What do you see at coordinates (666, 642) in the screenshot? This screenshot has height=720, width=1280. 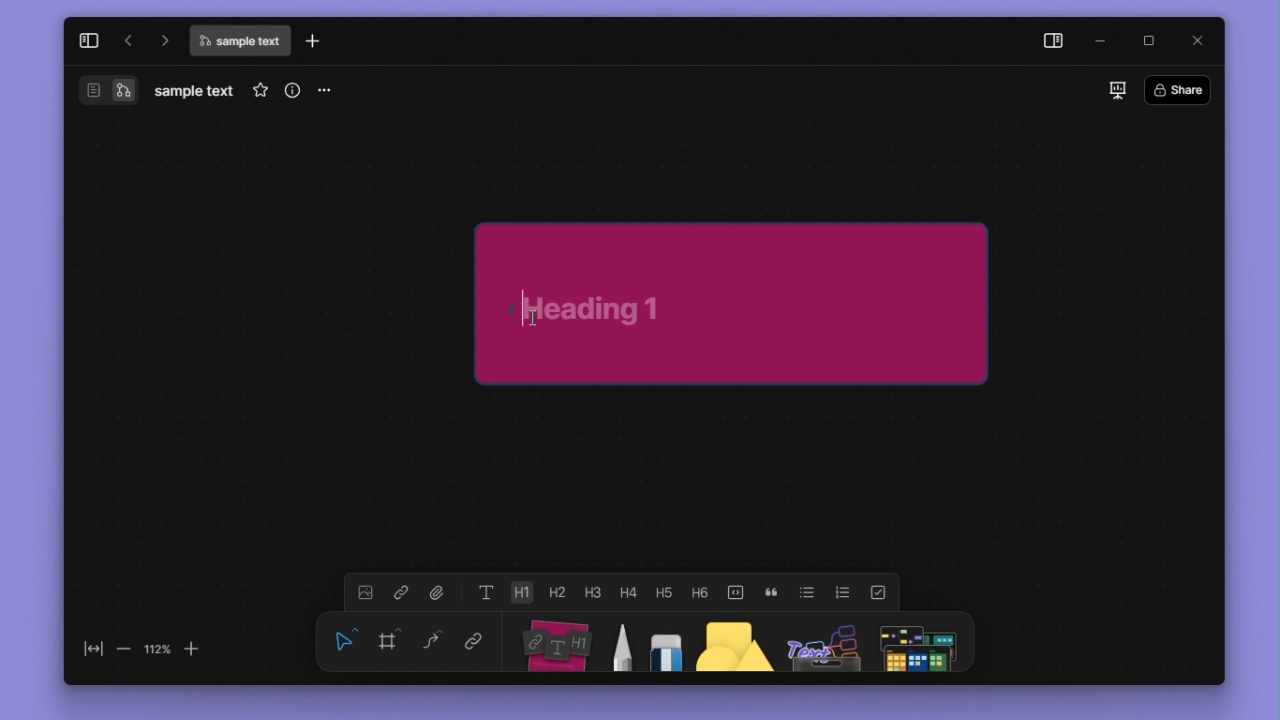 I see `eraser` at bounding box center [666, 642].